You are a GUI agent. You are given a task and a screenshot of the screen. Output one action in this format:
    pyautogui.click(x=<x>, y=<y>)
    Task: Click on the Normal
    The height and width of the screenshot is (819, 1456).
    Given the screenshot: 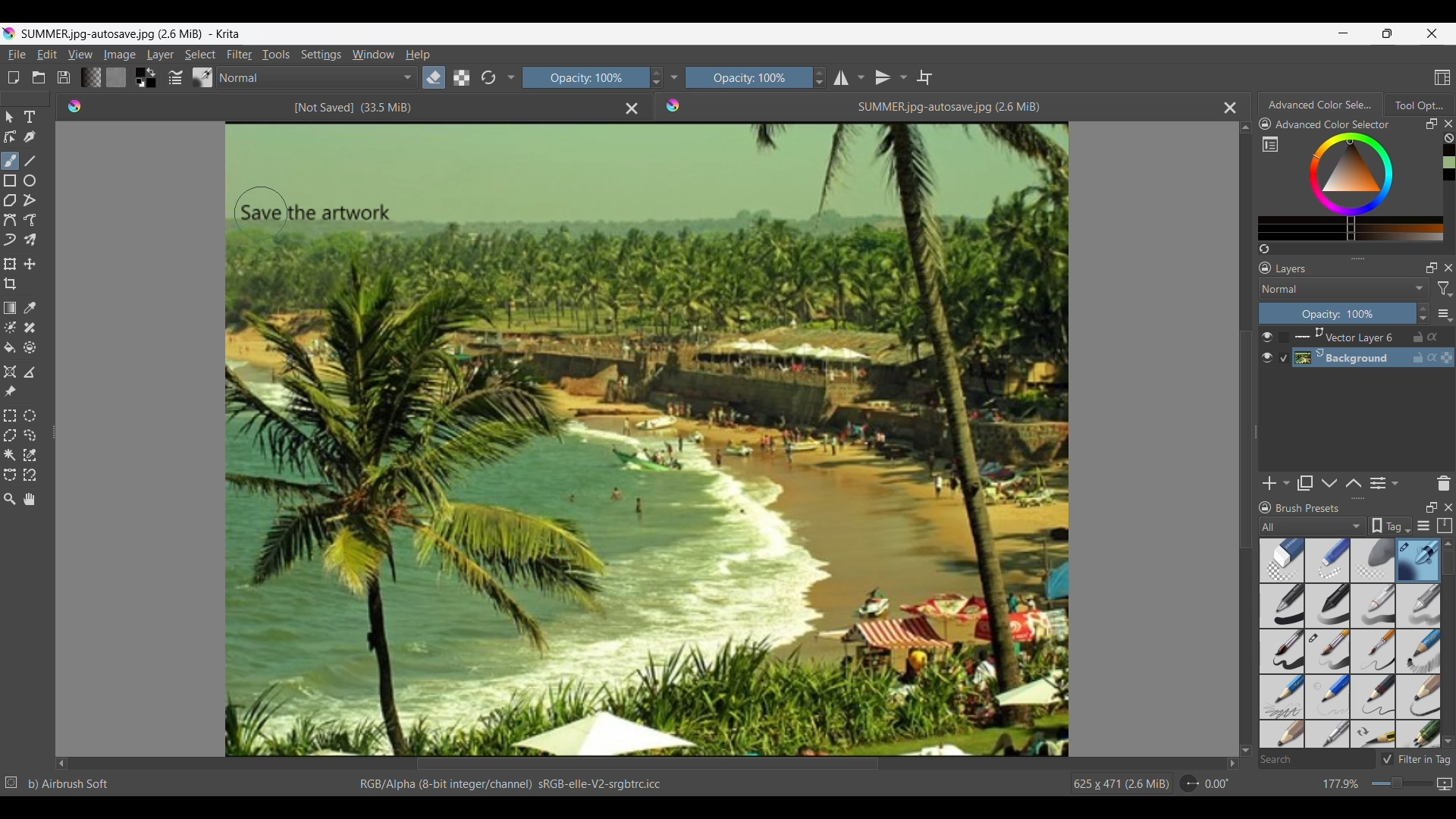 What is the action you would take?
    pyautogui.click(x=317, y=77)
    